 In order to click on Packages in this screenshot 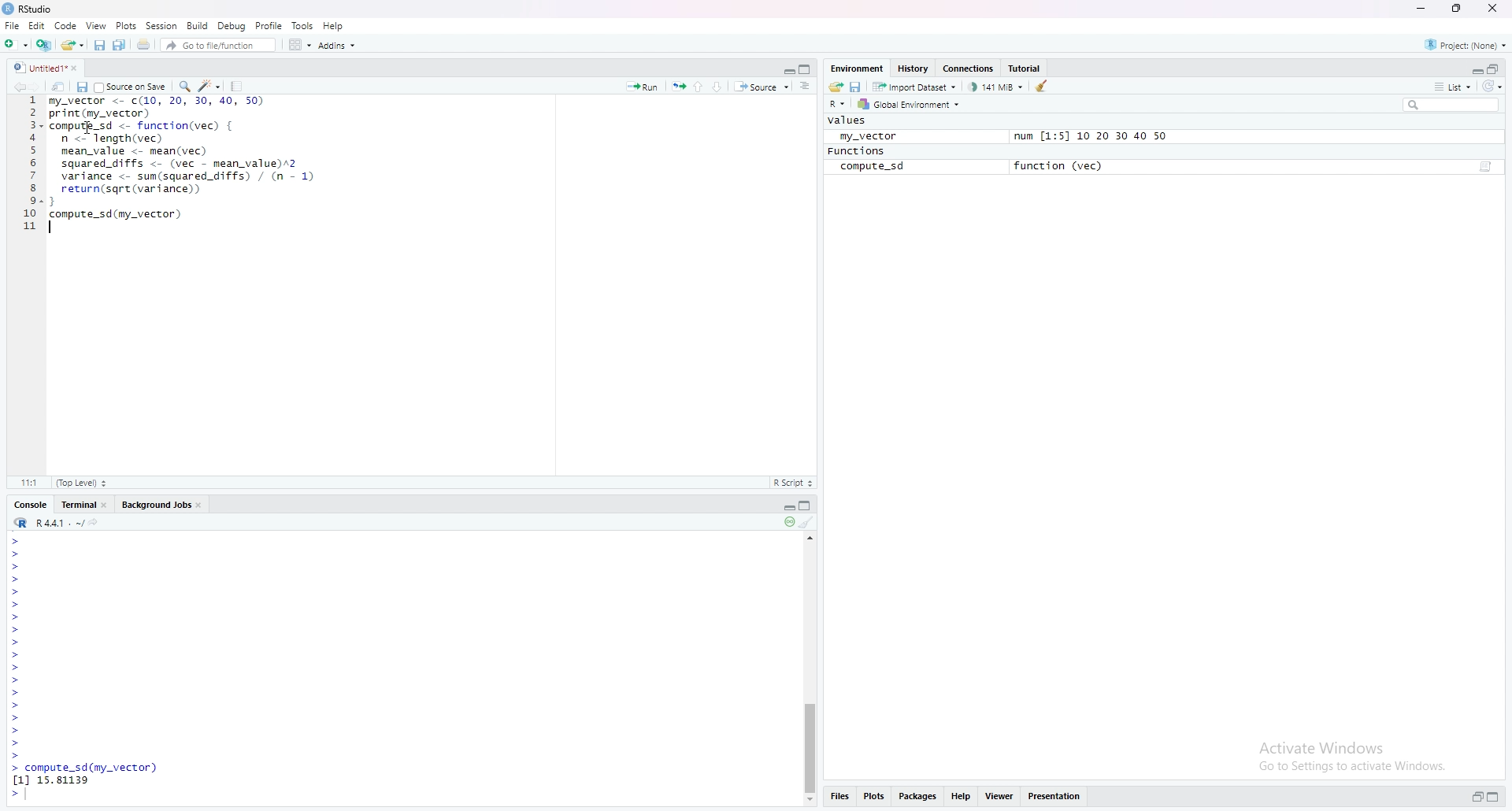, I will do `click(918, 797)`.